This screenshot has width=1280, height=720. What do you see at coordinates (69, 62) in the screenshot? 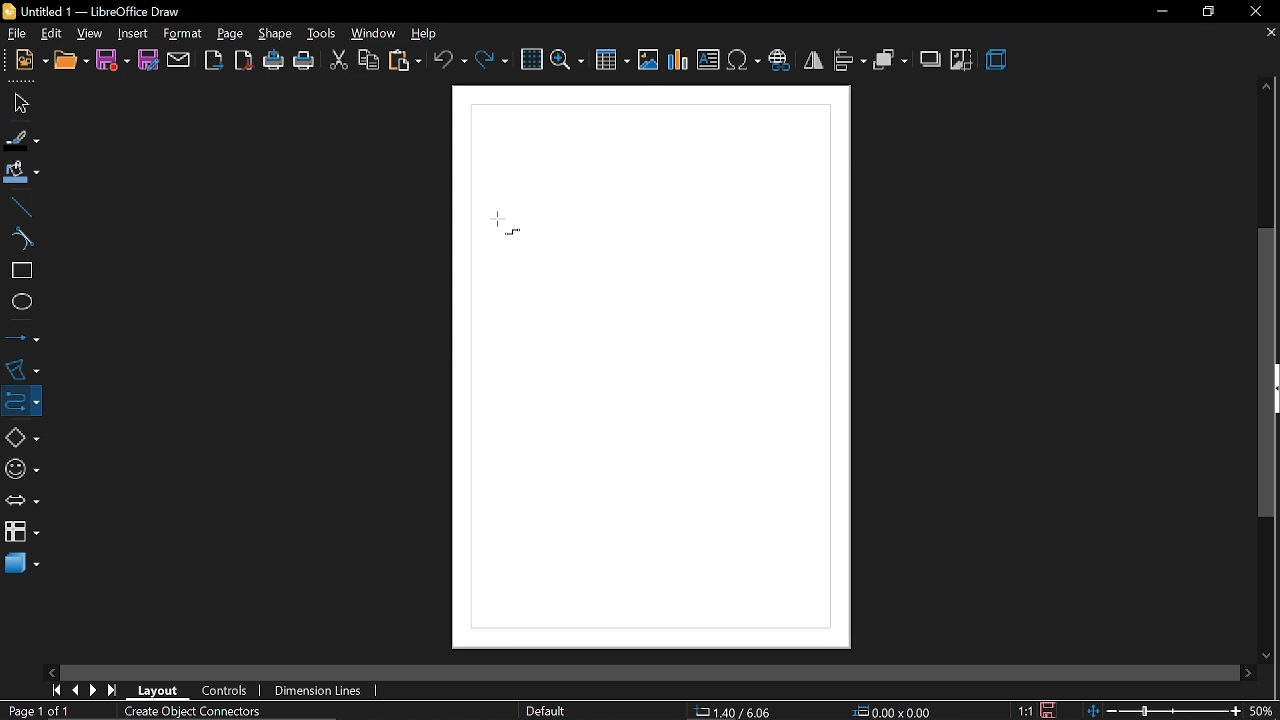
I see `open` at bounding box center [69, 62].